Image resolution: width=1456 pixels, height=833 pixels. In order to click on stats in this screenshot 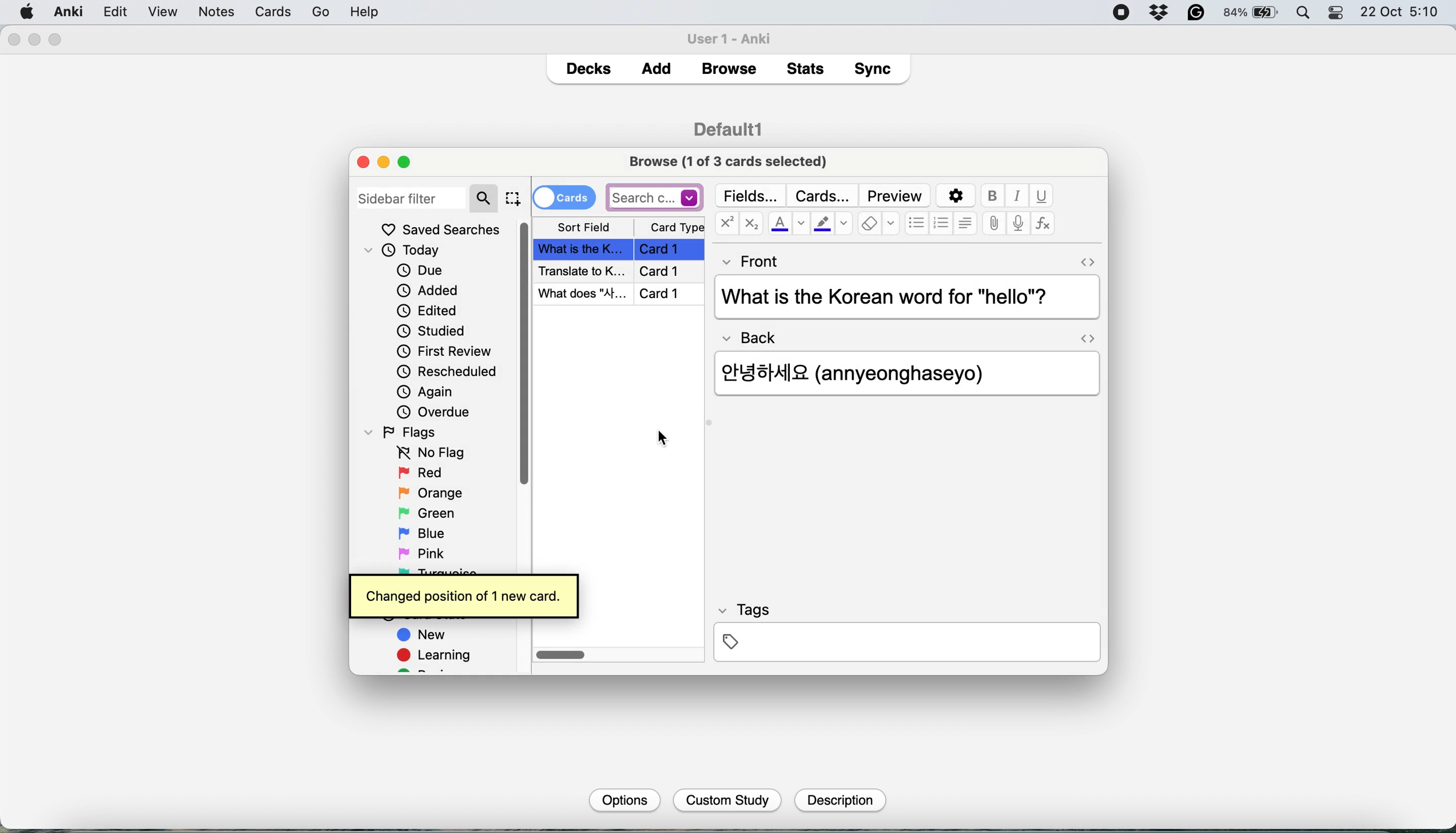, I will do `click(809, 68)`.